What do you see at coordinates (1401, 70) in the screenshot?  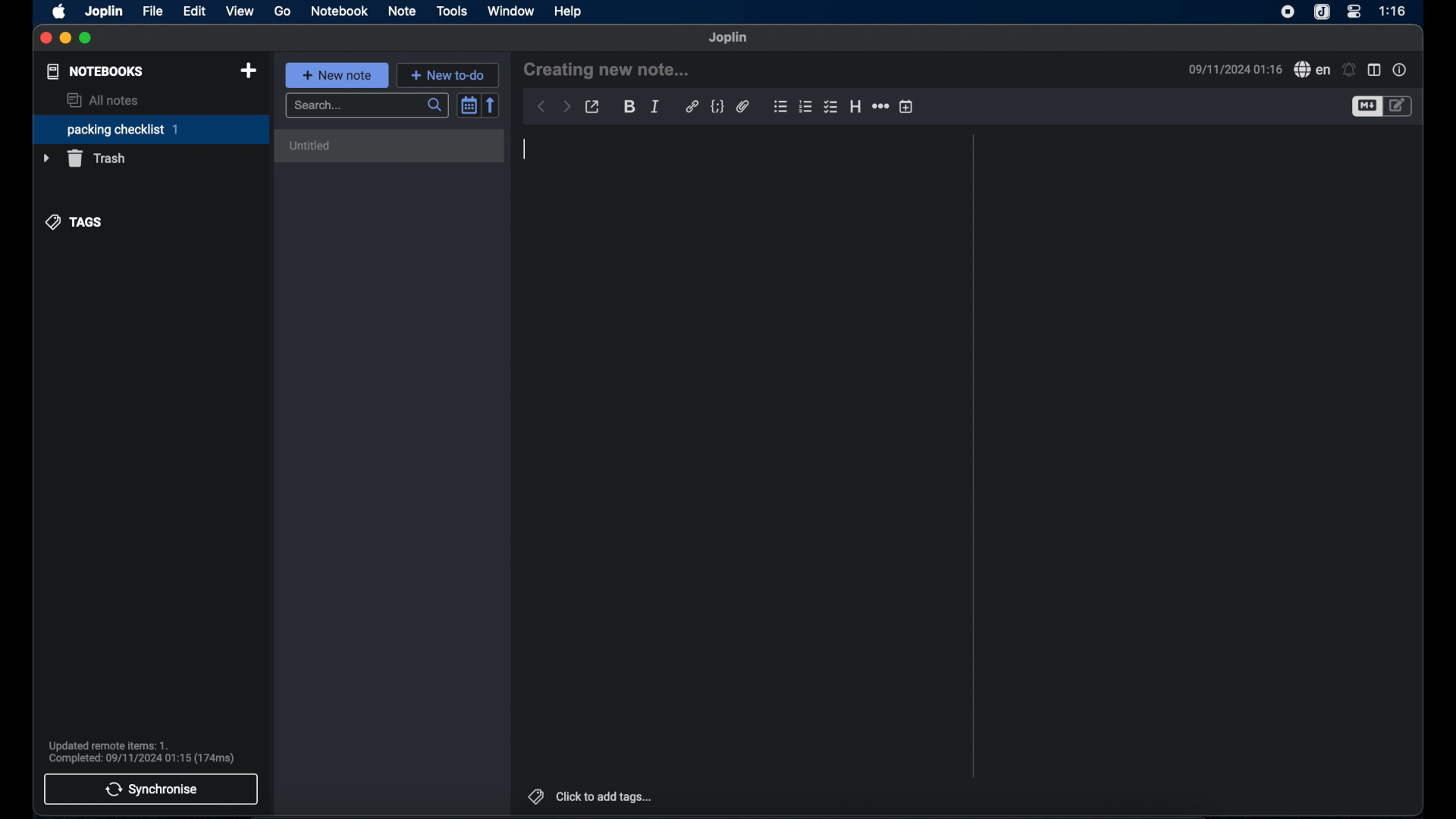 I see `note properties` at bounding box center [1401, 70].